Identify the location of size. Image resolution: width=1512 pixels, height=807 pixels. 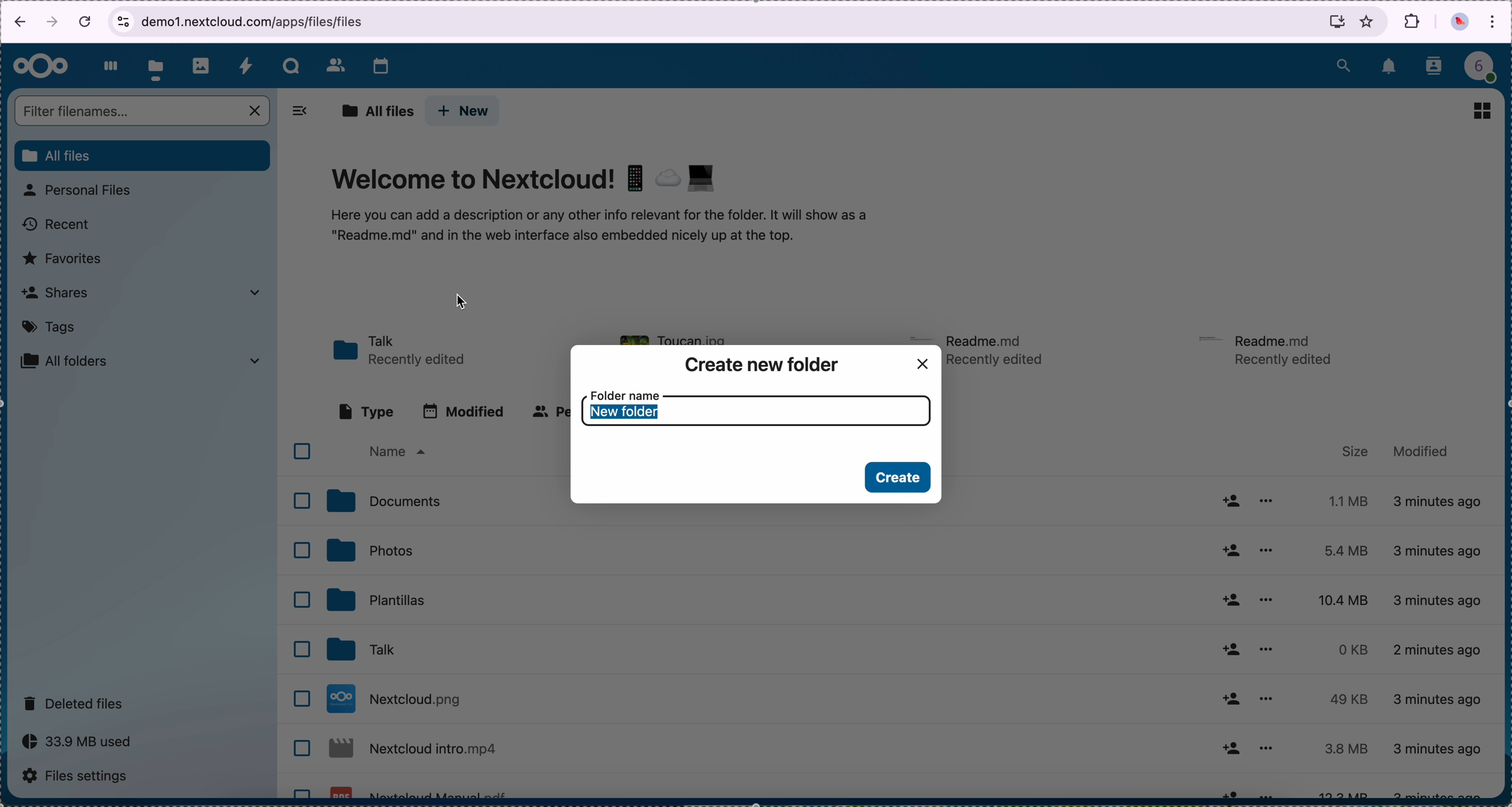
(1356, 451).